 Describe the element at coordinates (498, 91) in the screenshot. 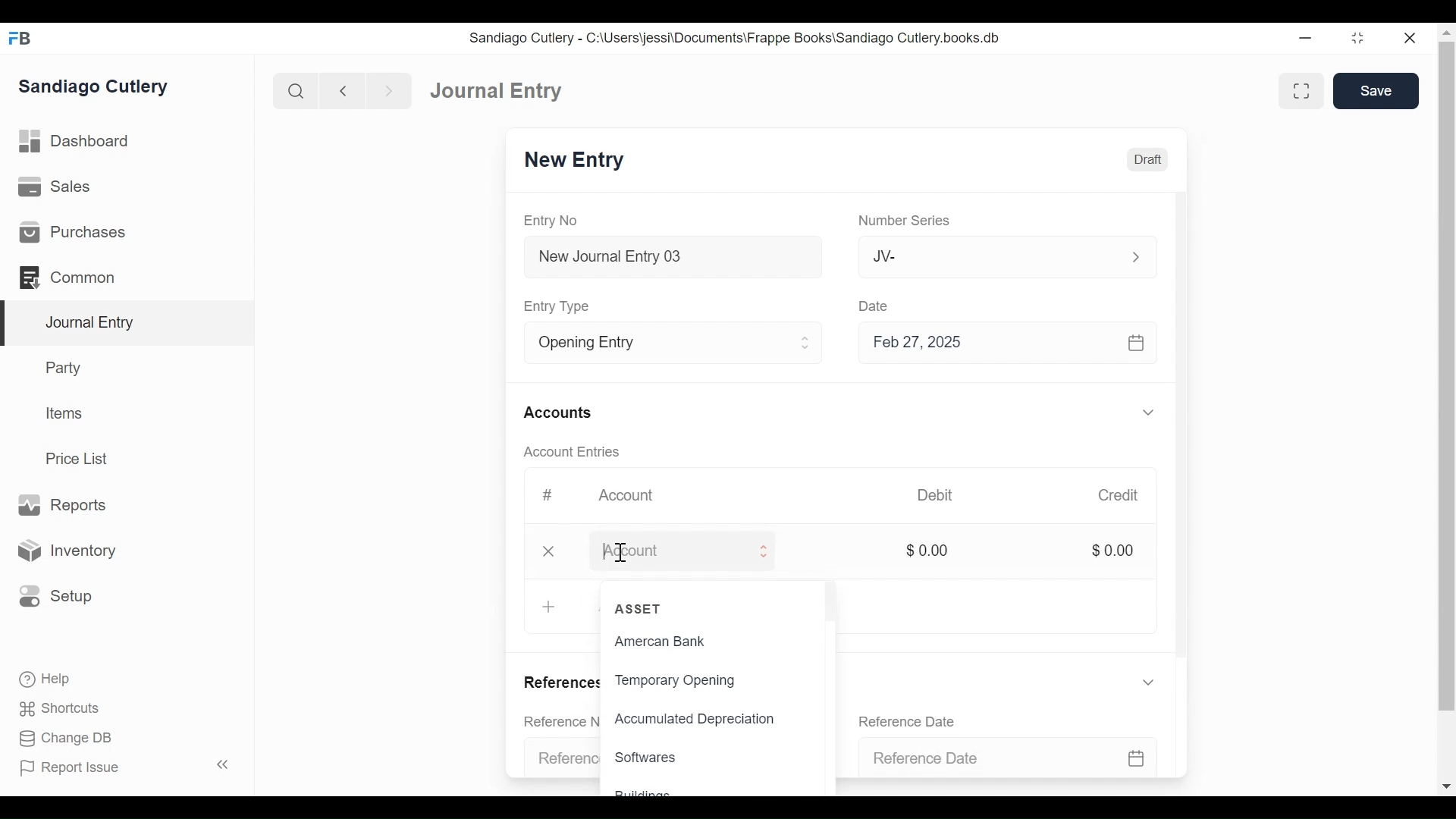

I see `Journal Entry` at that location.